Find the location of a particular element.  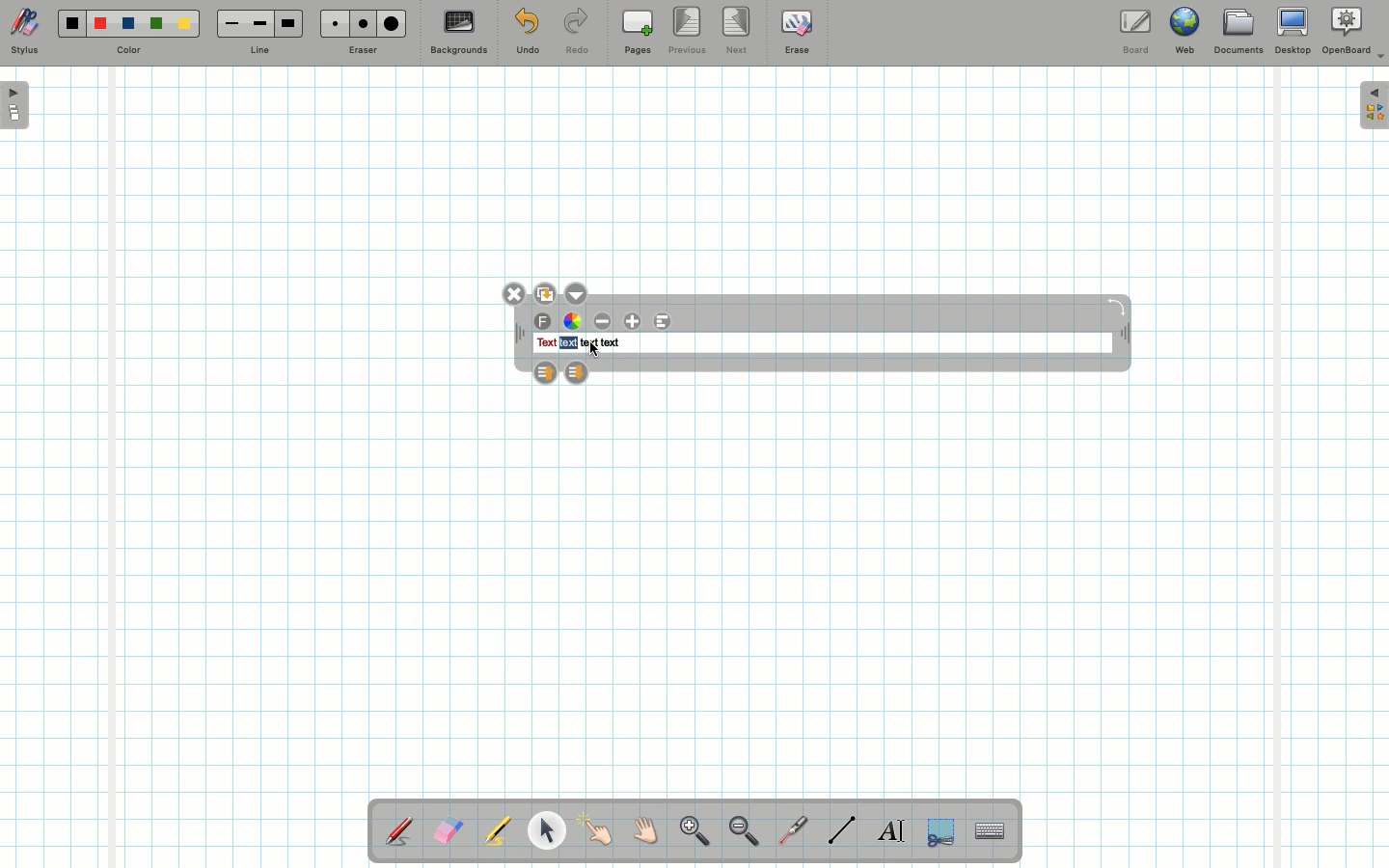

Web is located at coordinates (1184, 35).